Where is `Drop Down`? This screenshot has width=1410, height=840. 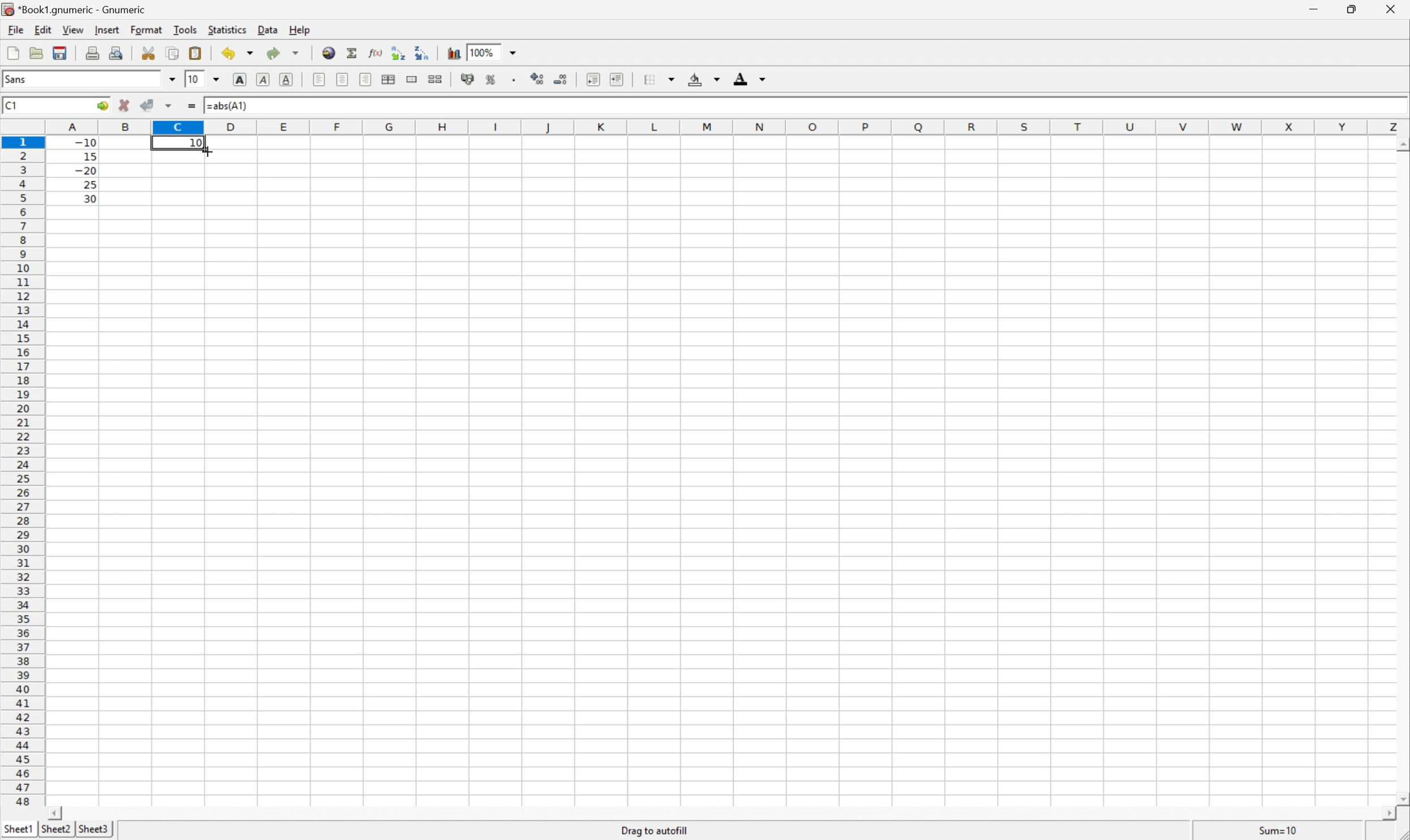
Drop Down is located at coordinates (171, 79).